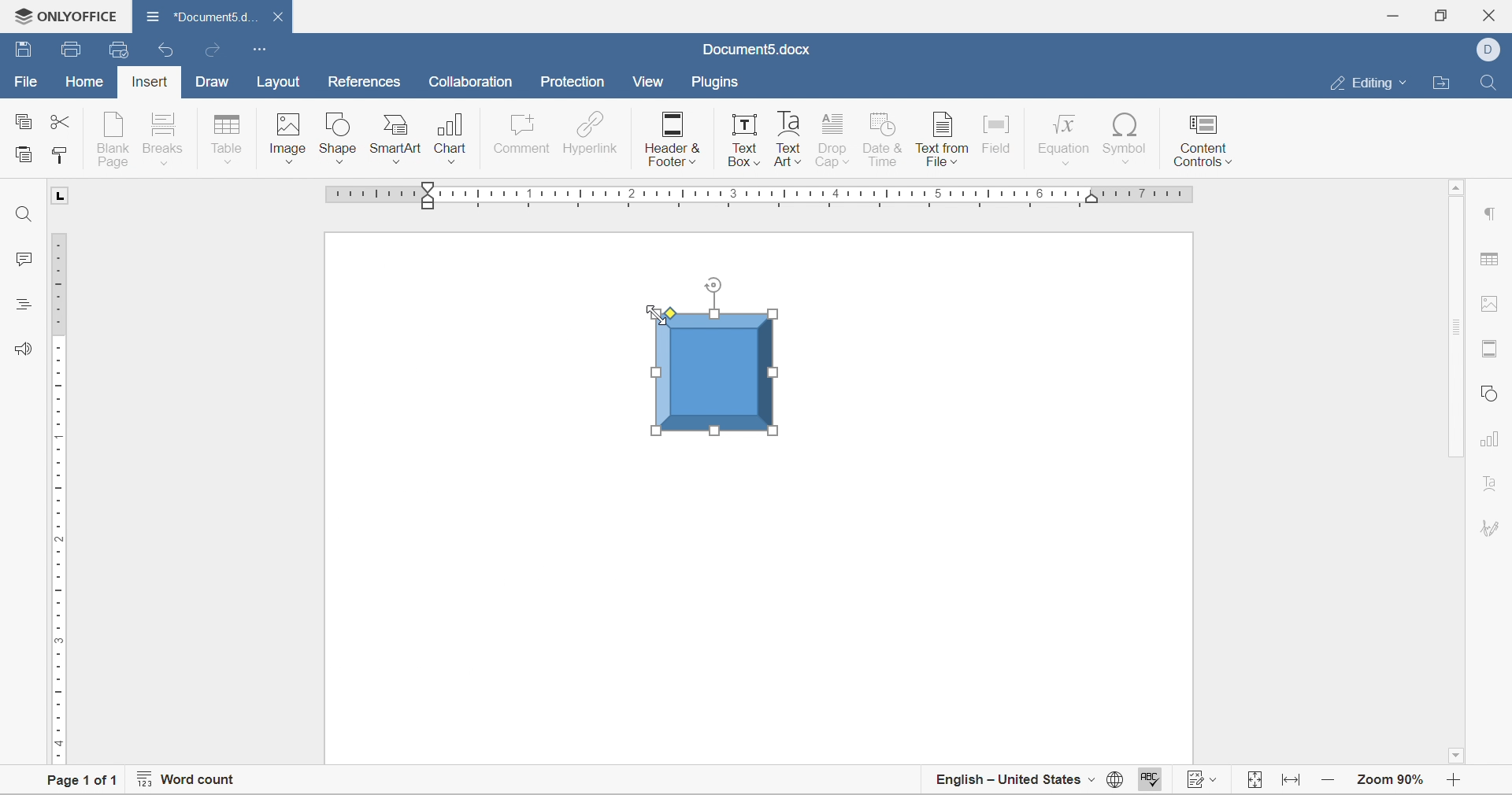  What do you see at coordinates (1493, 439) in the screenshot?
I see `chart settings` at bounding box center [1493, 439].